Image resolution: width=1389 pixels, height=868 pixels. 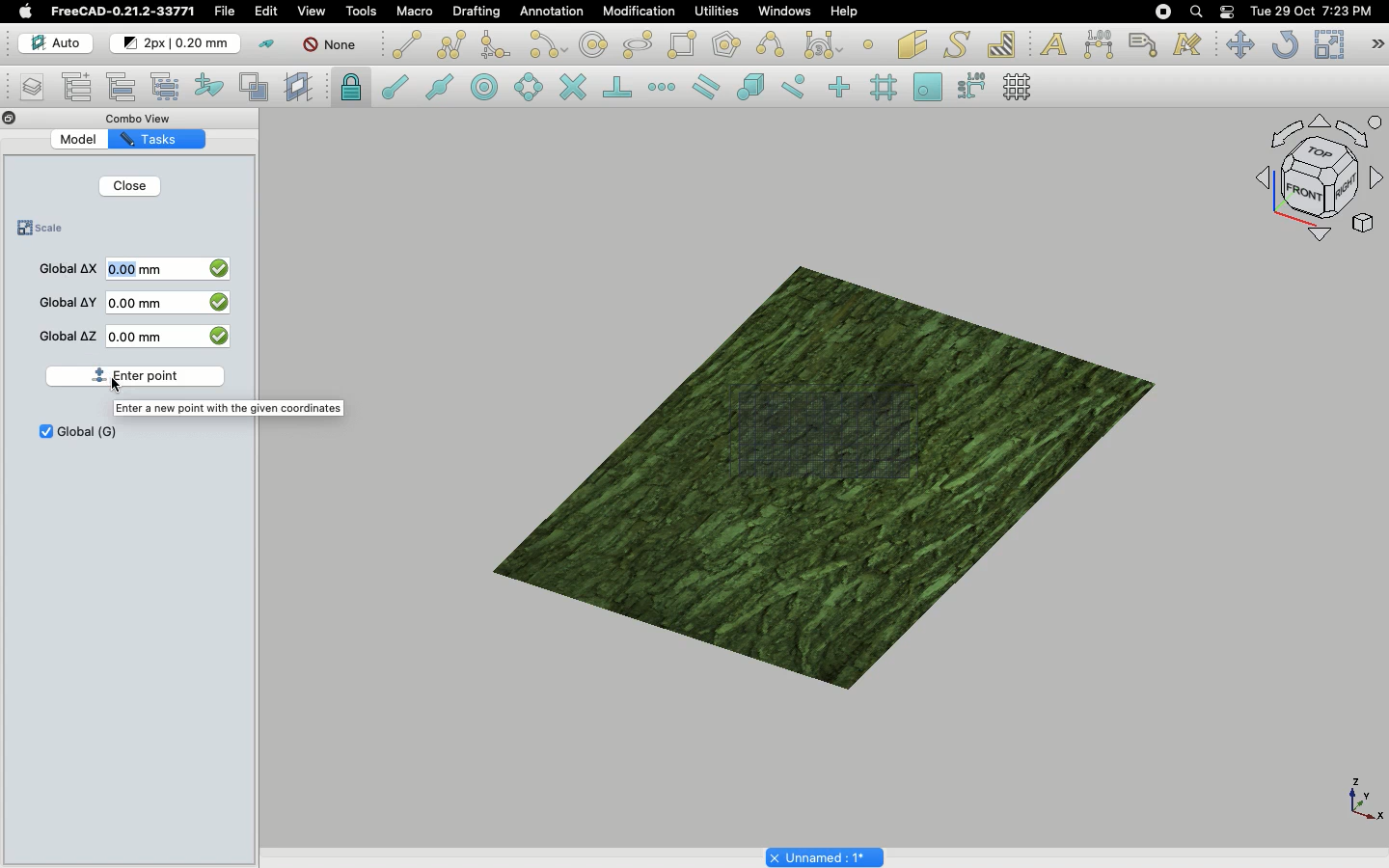 I want to click on 0 mm, so click(x=171, y=265).